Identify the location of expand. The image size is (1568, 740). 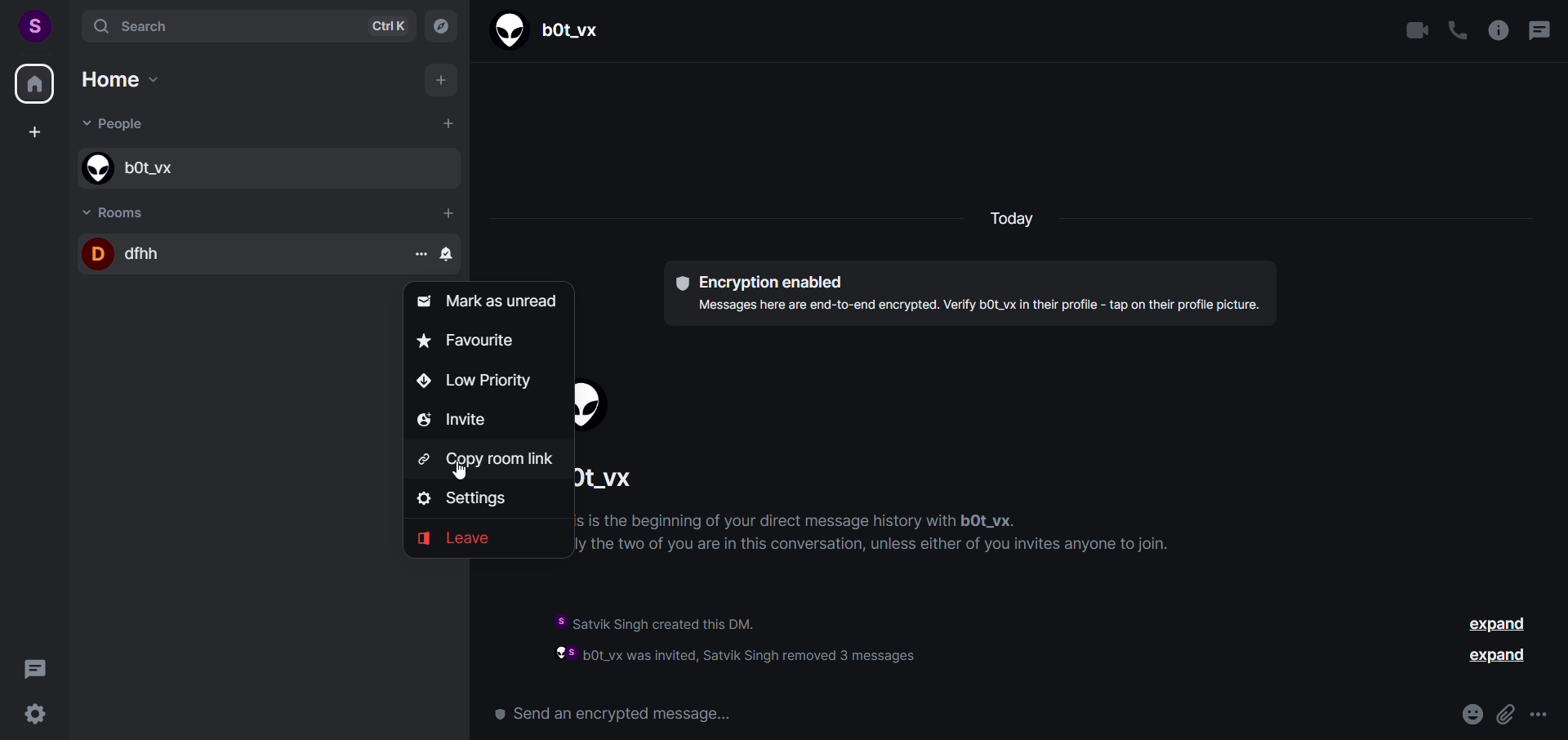
(1497, 657).